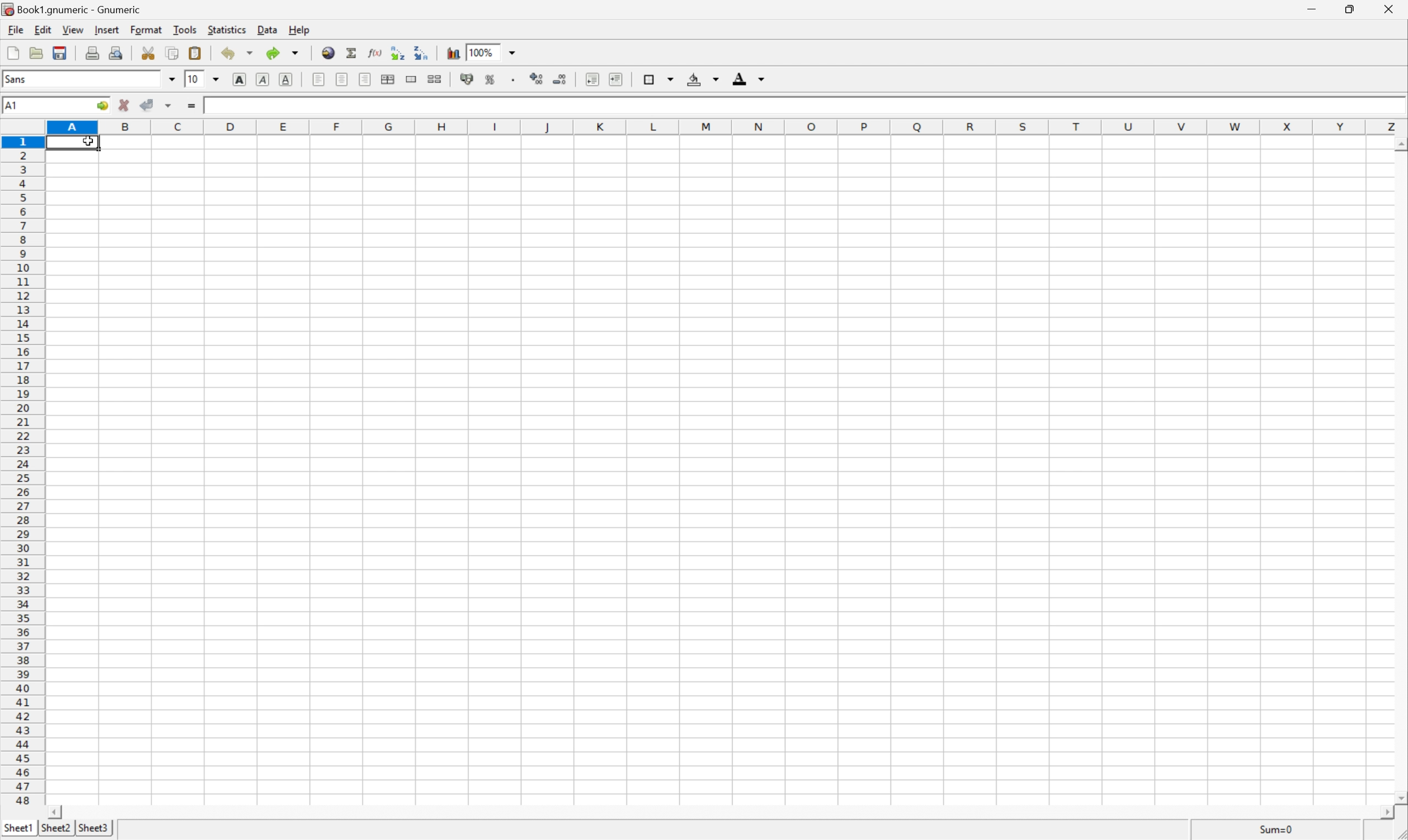 Image resolution: width=1408 pixels, height=840 pixels. What do you see at coordinates (284, 53) in the screenshot?
I see `redo` at bounding box center [284, 53].